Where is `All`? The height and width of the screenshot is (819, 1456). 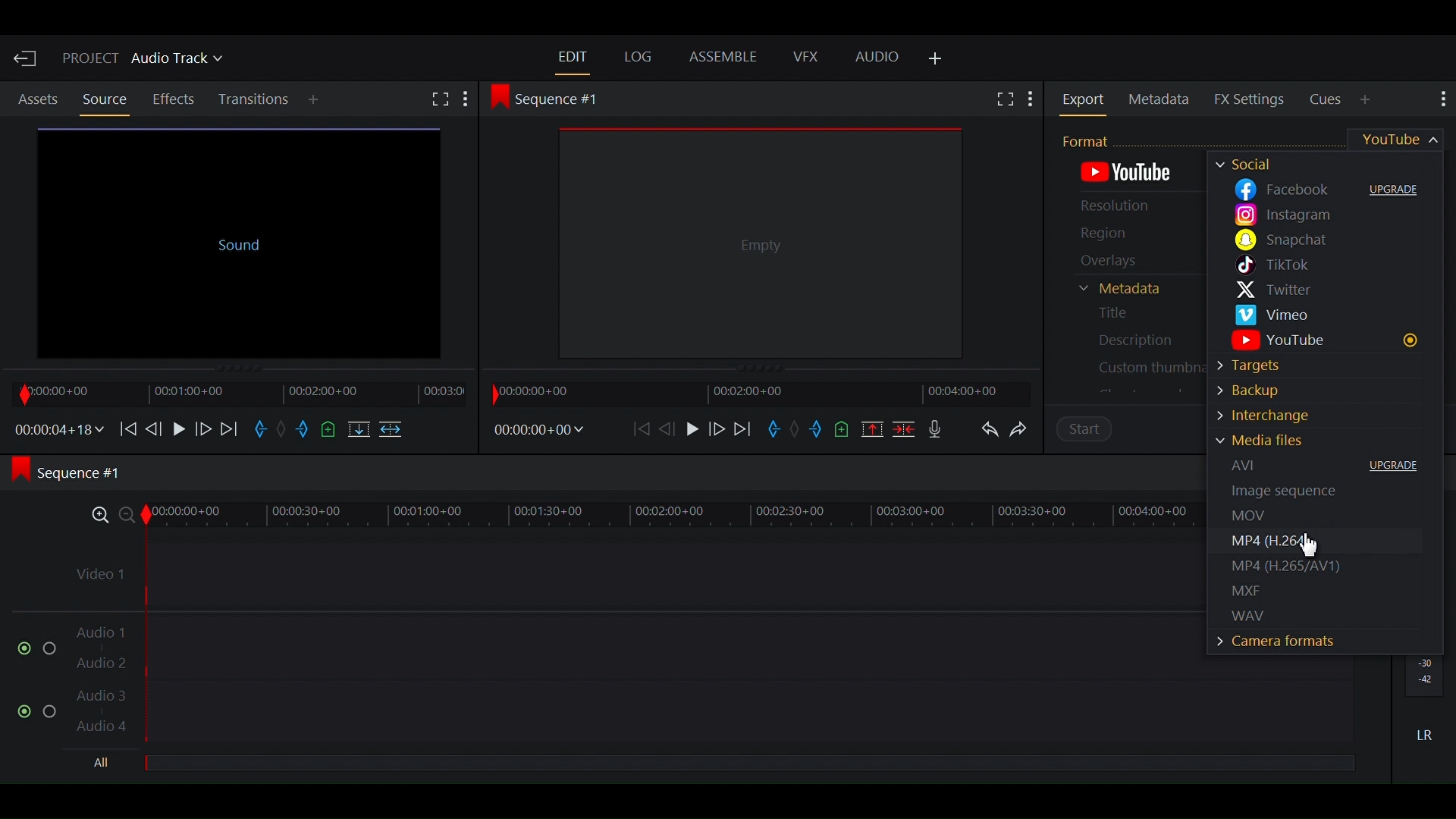
All is located at coordinates (105, 764).